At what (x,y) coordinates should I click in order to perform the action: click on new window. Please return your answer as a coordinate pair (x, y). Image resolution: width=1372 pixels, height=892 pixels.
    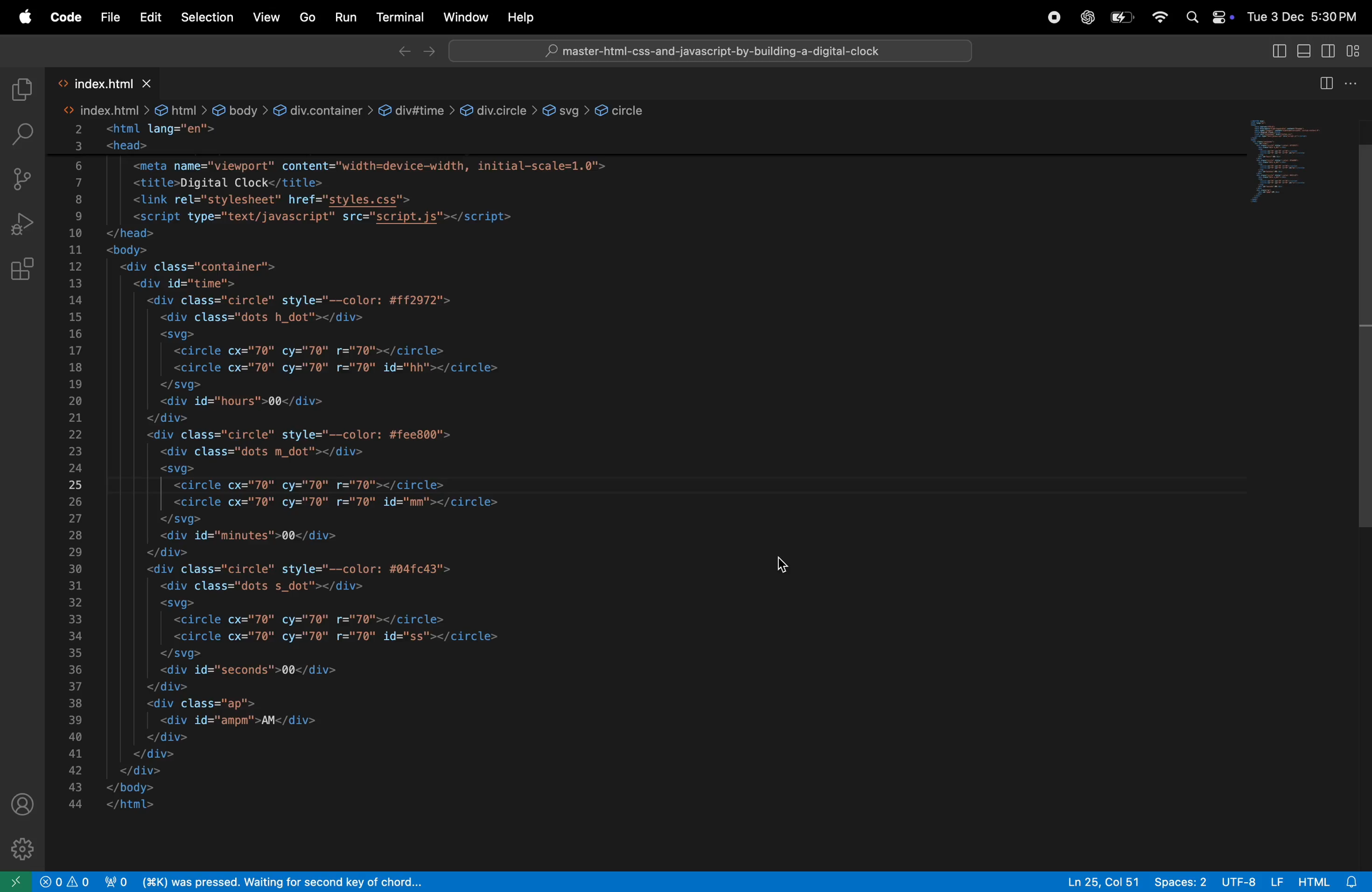
    Looking at the image, I should click on (14, 881).